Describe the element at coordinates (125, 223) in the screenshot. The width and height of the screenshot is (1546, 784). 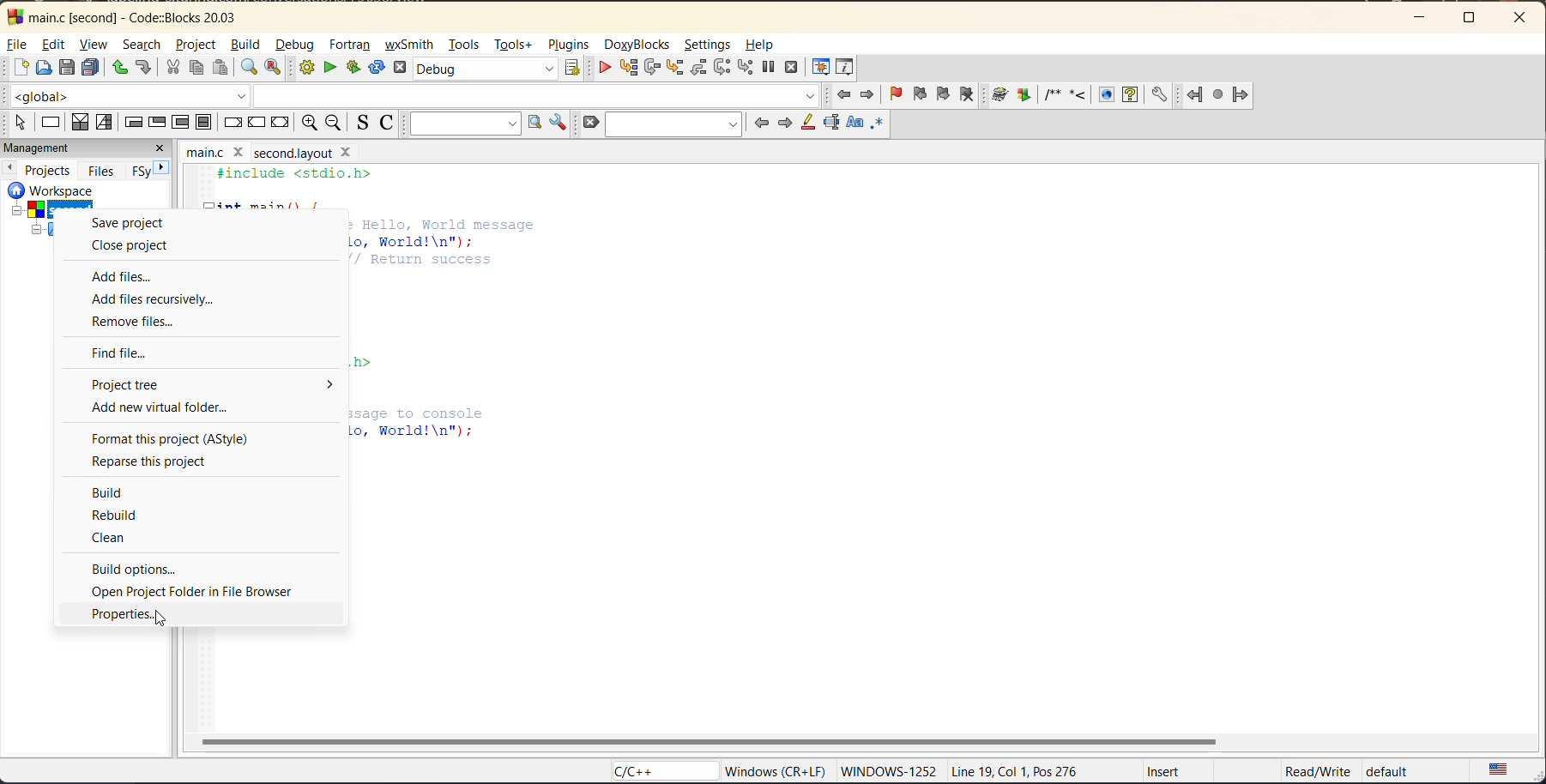
I see `save project` at that location.